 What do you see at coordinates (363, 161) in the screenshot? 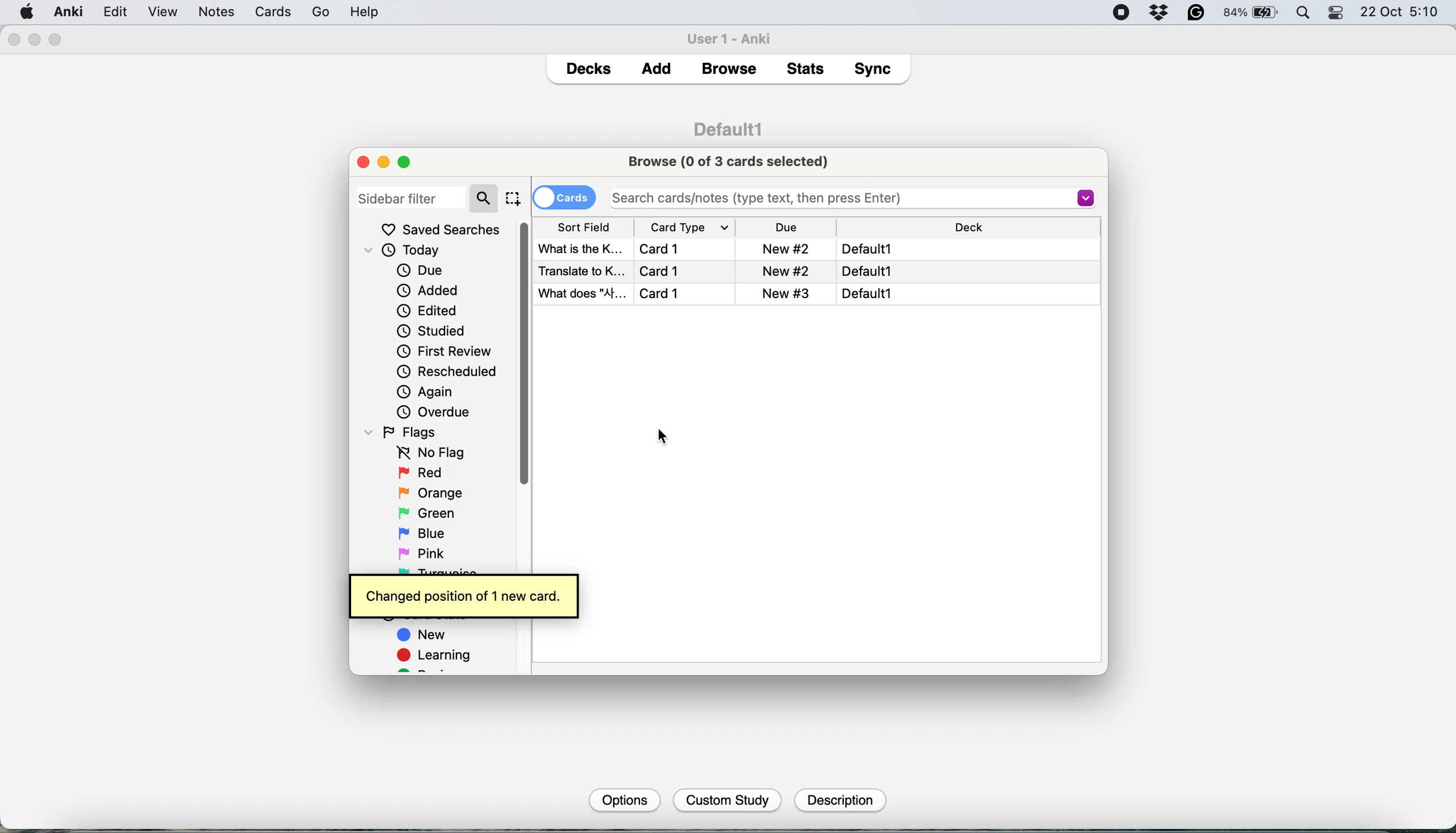
I see `close` at bounding box center [363, 161].